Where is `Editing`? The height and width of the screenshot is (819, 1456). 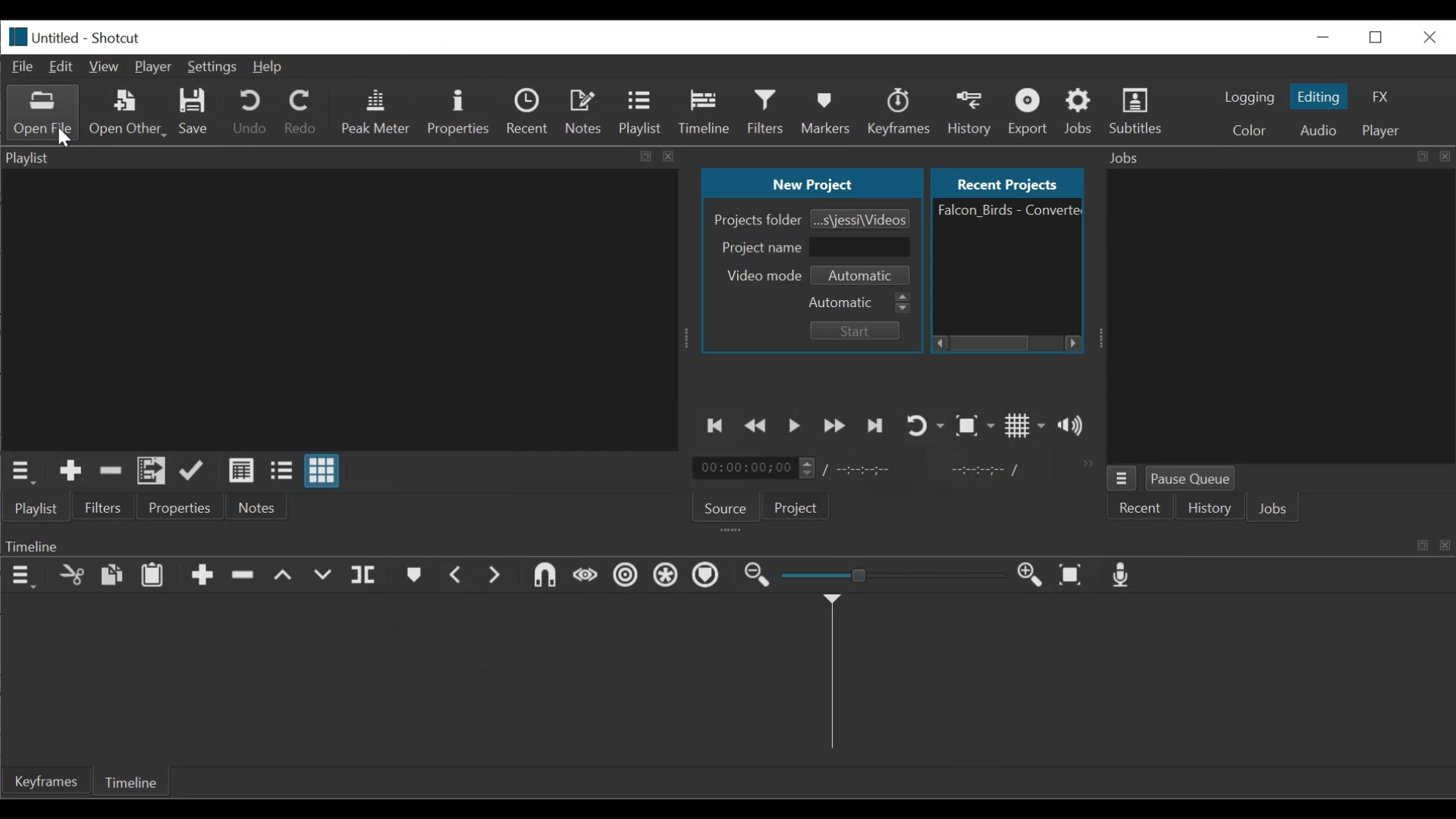 Editing is located at coordinates (1319, 96).